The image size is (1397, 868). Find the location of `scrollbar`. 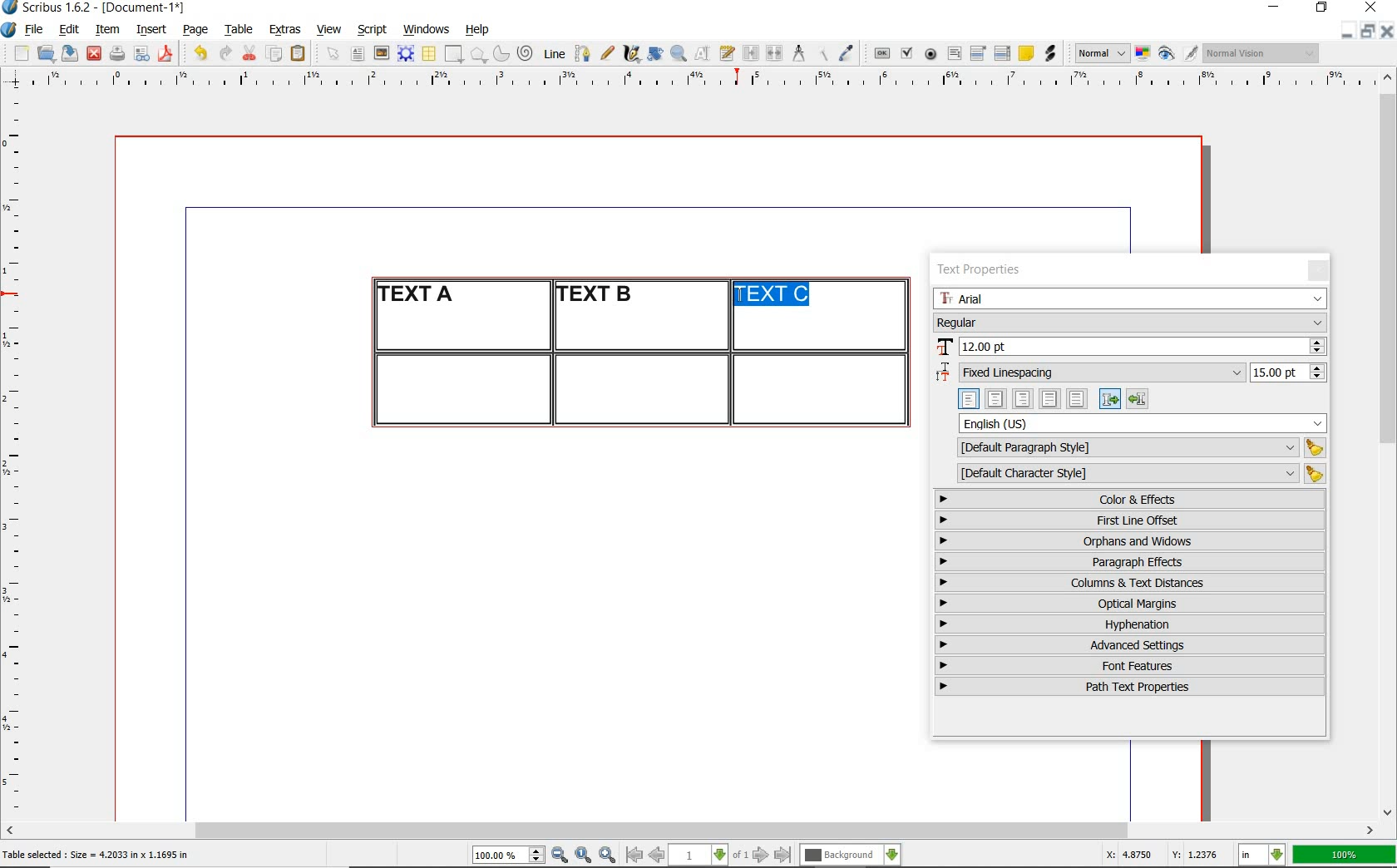

scrollbar is located at coordinates (1389, 443).